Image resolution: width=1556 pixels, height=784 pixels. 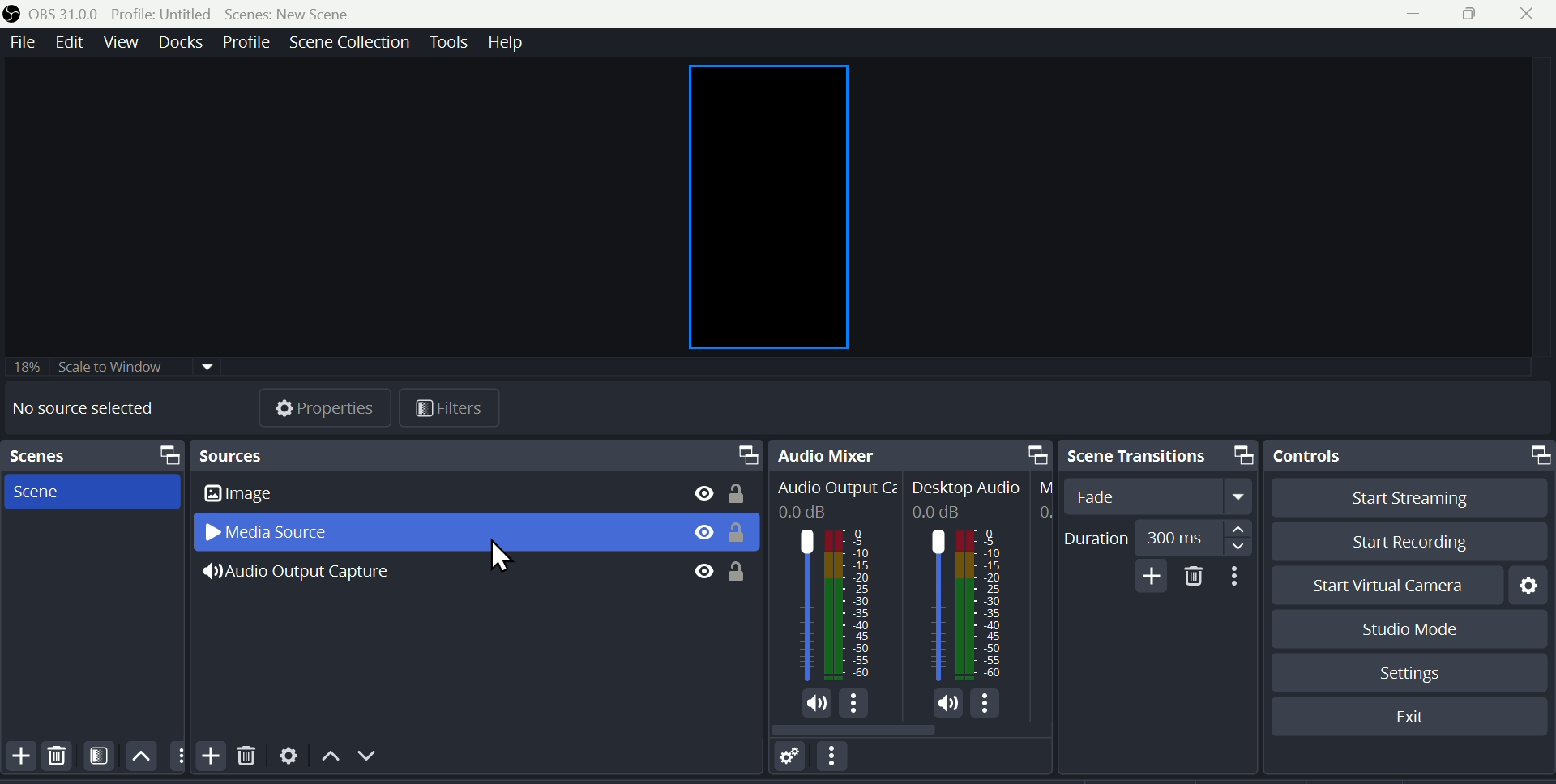 I want to click on close, so click(x=1528, y=15).